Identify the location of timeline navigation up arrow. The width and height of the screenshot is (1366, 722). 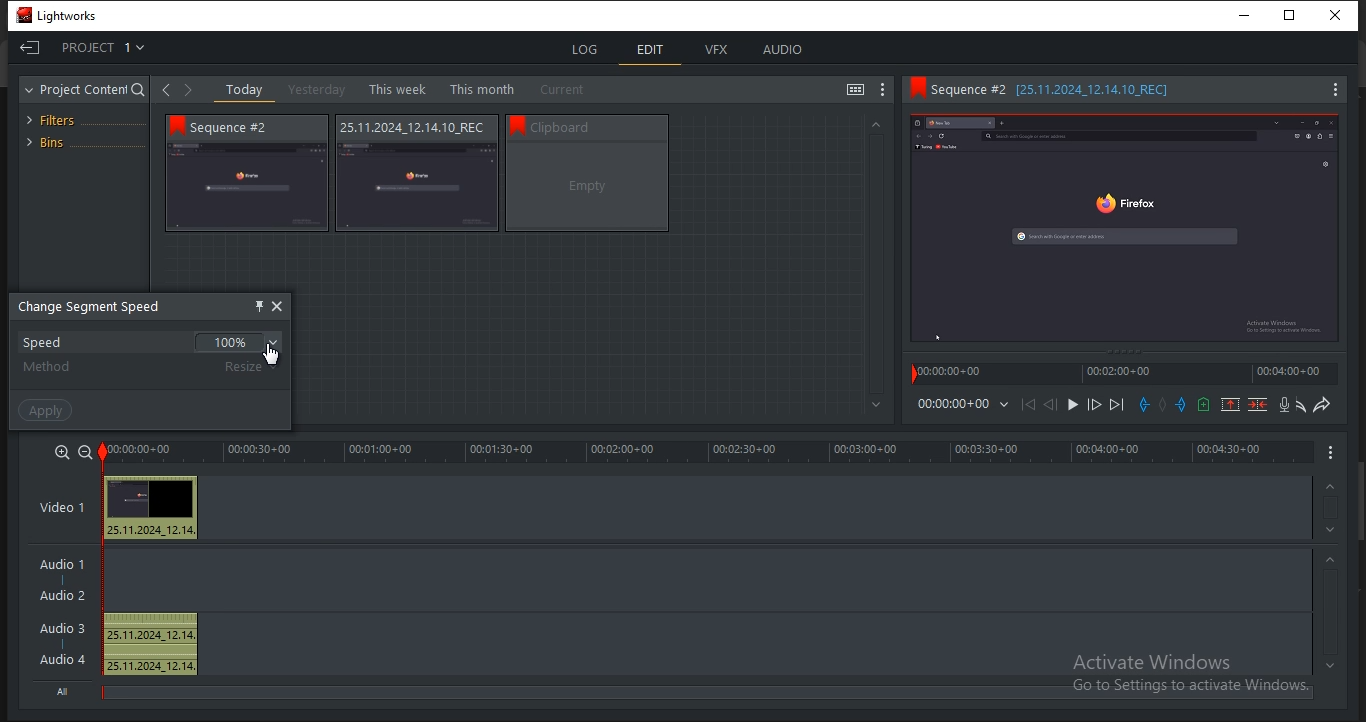
(1338, 665).